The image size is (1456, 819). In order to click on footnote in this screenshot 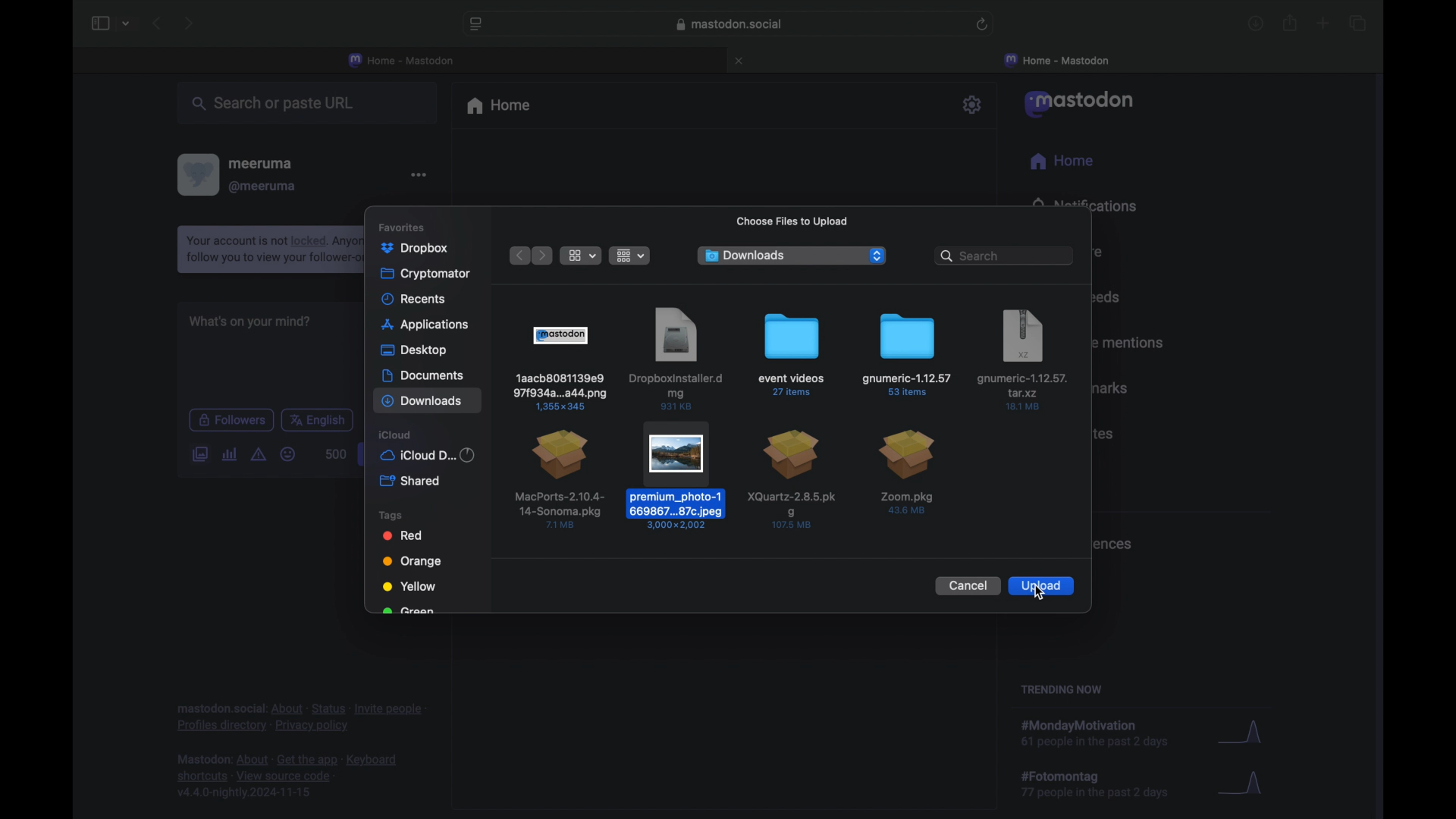, I will do `click(300, 717)`.